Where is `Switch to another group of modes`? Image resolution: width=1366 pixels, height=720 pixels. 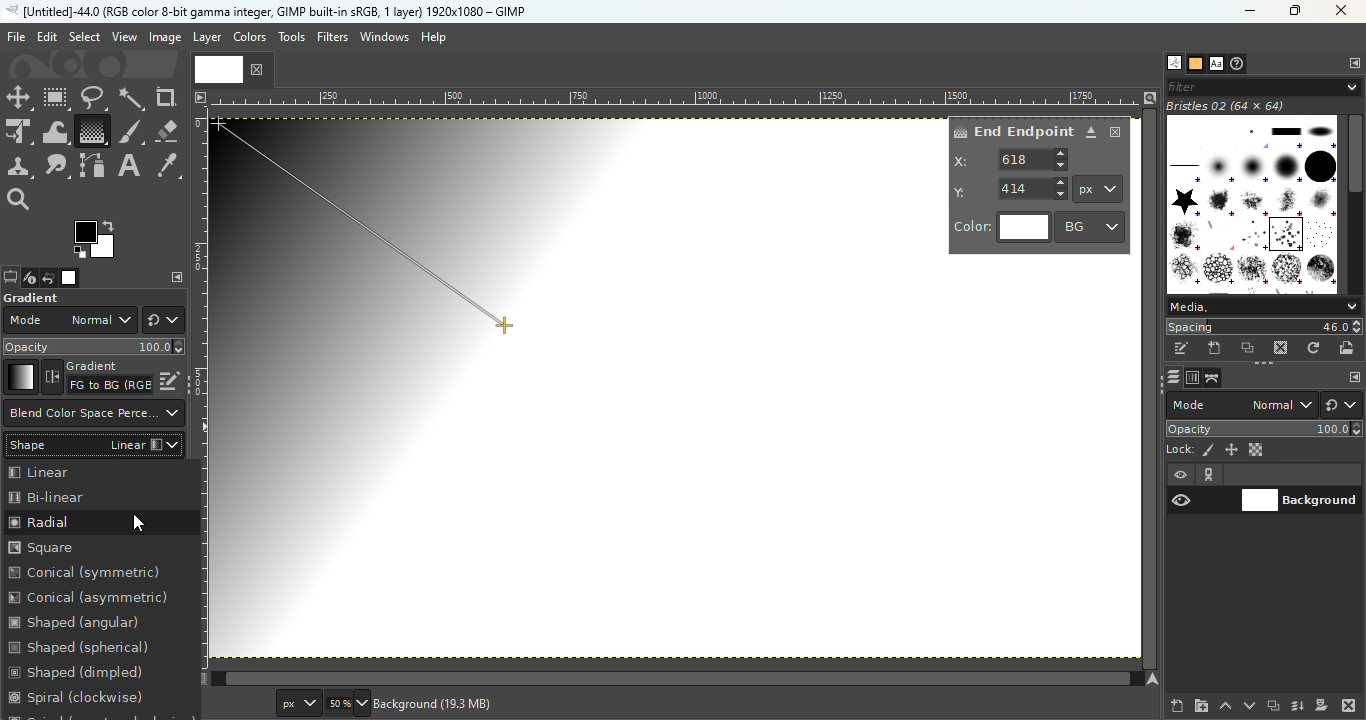 Switch to another group of modes is located at coordinates (1345, 405).